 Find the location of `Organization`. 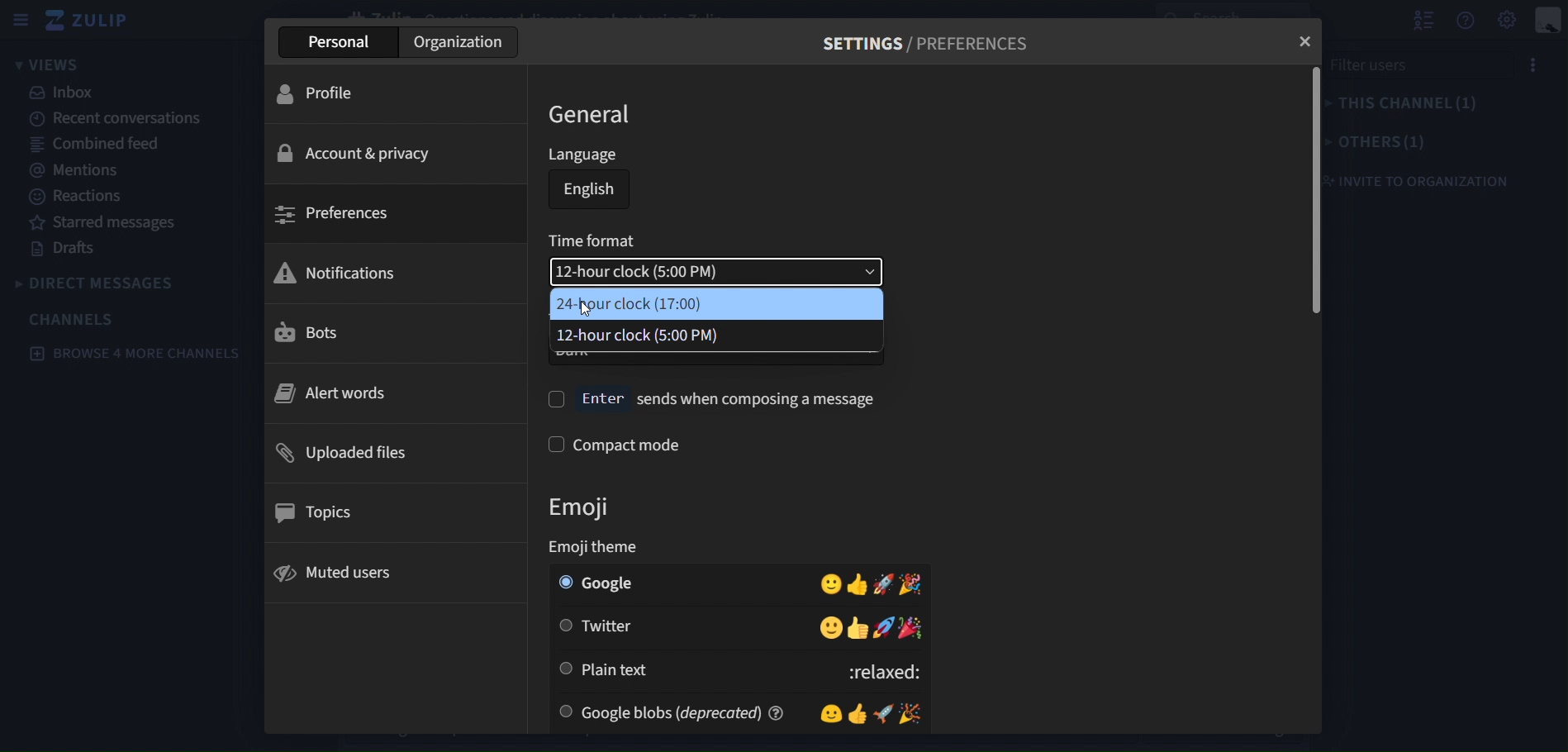

Organization is located at coordinates (455, 43).